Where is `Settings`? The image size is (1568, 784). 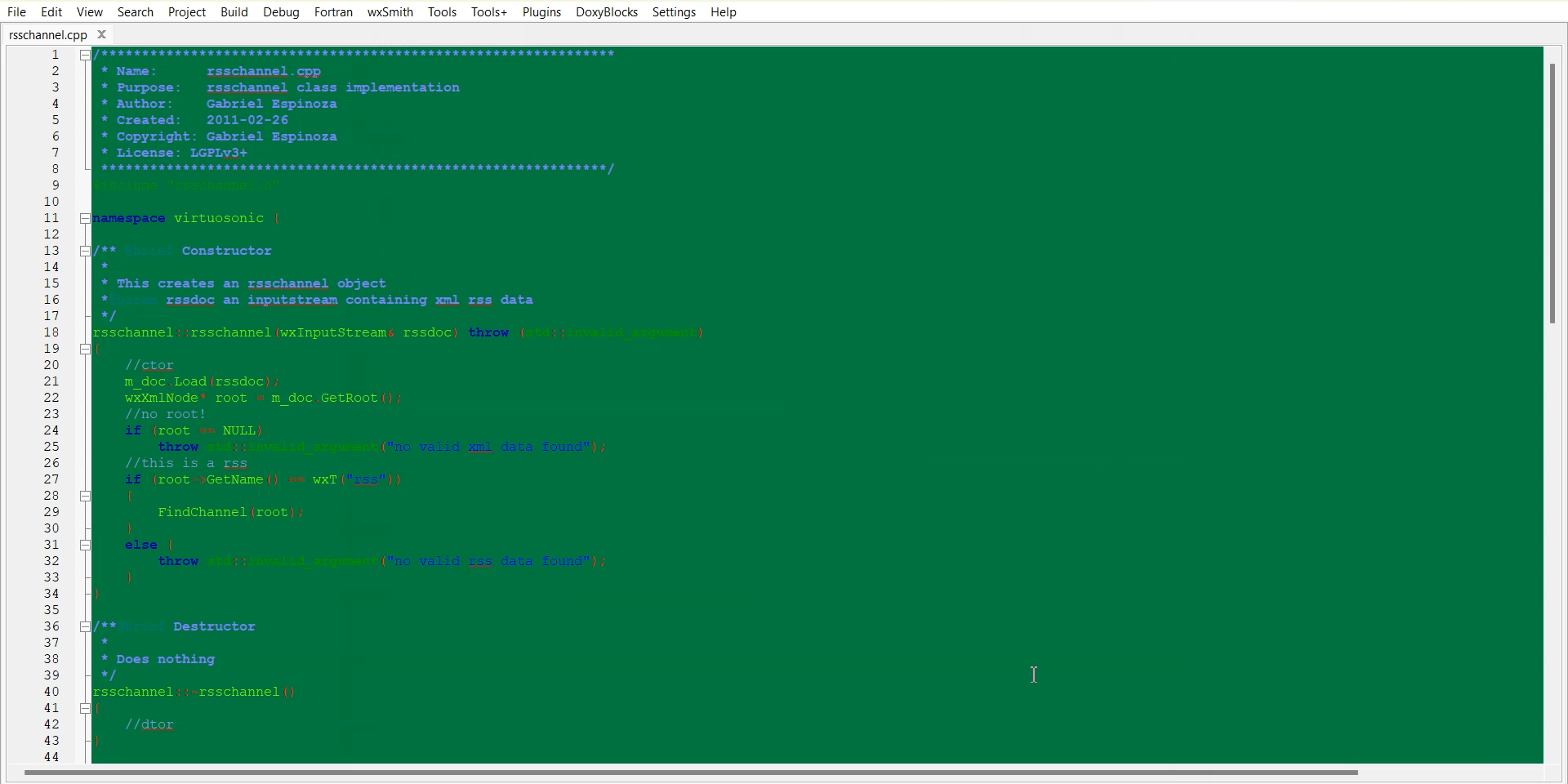 Settings is located at coordinates (675, 11).